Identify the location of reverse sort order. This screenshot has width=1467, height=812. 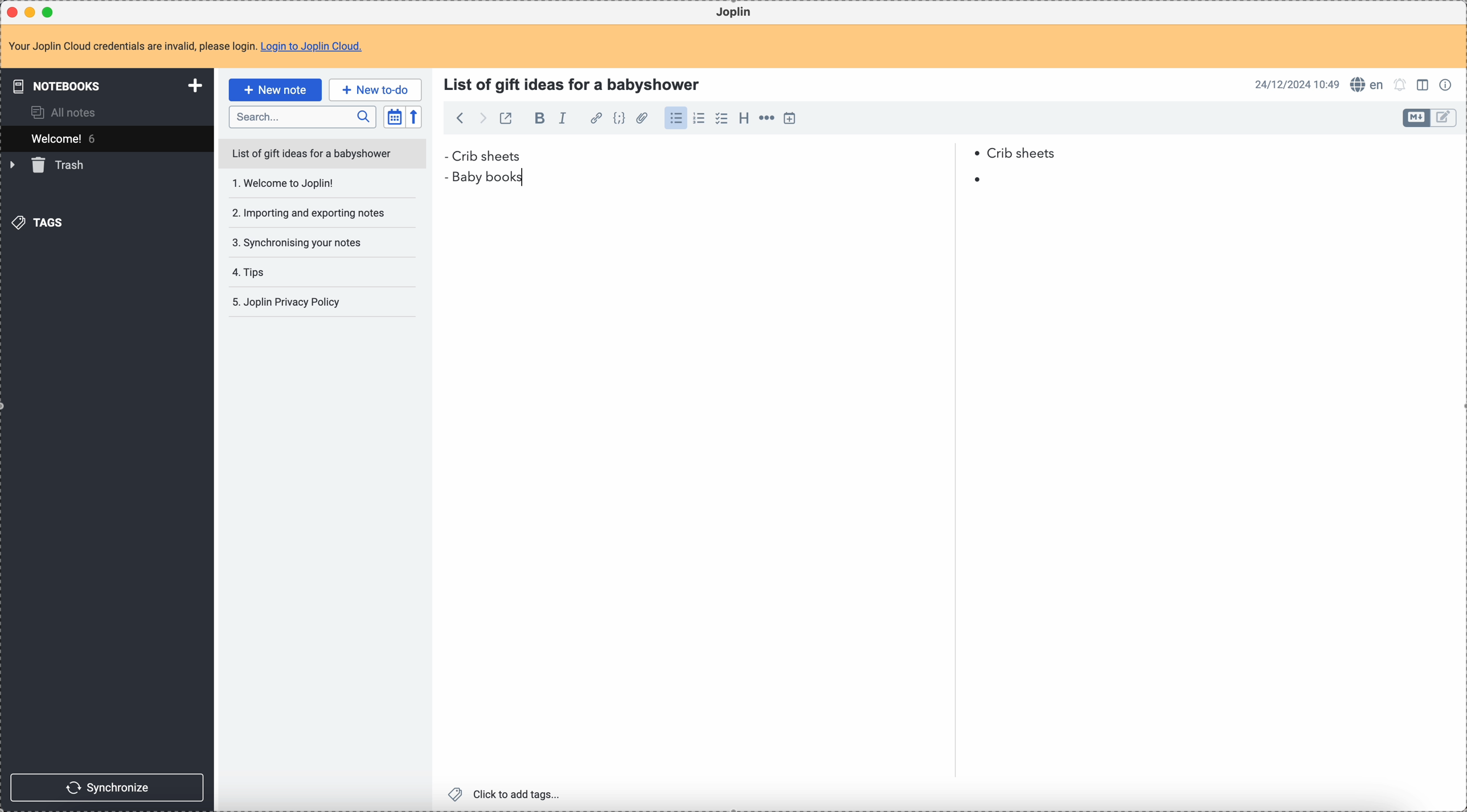
(413, 118).